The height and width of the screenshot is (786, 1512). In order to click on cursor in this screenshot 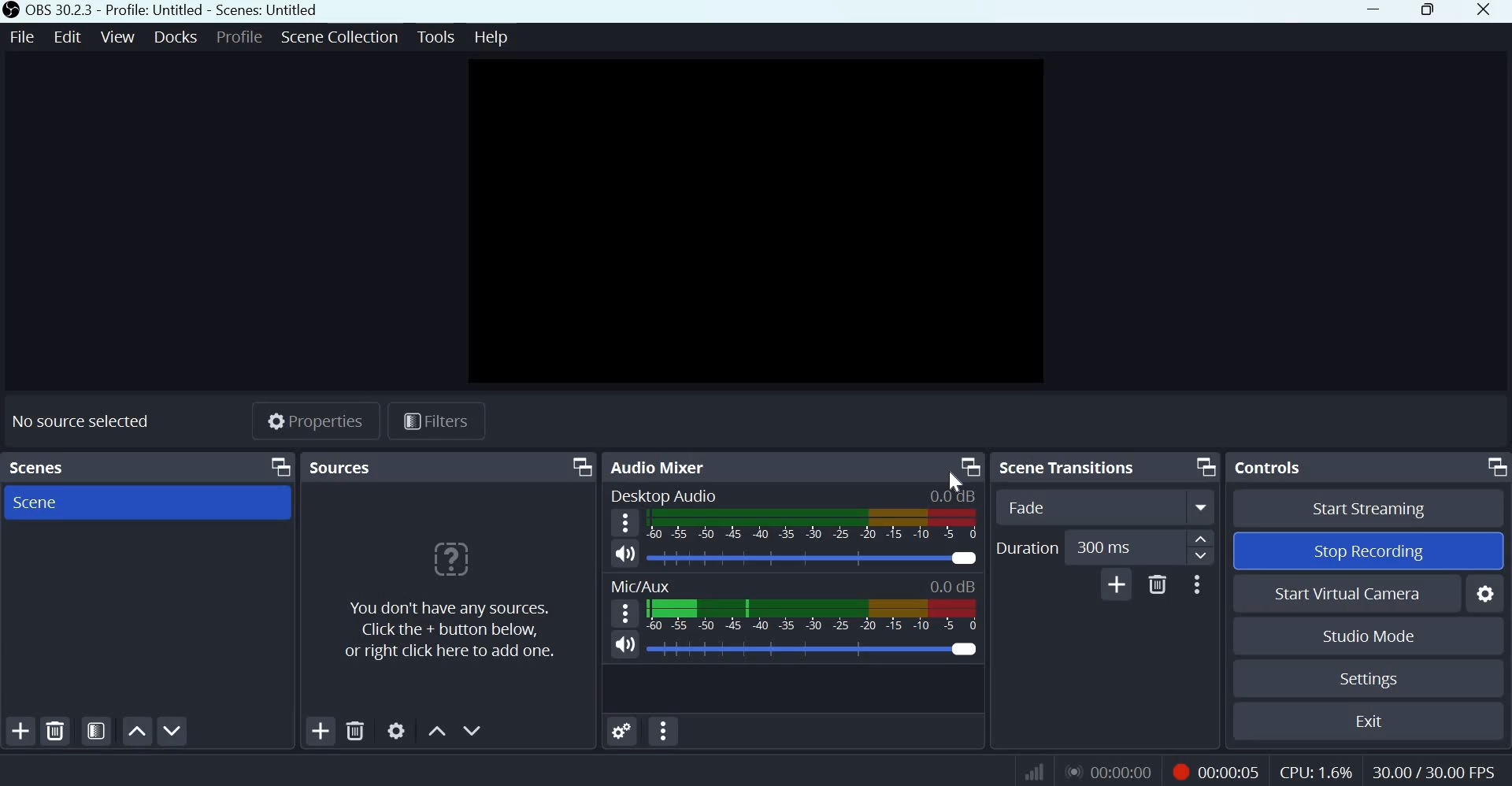, I will do `click(954, 482)`.